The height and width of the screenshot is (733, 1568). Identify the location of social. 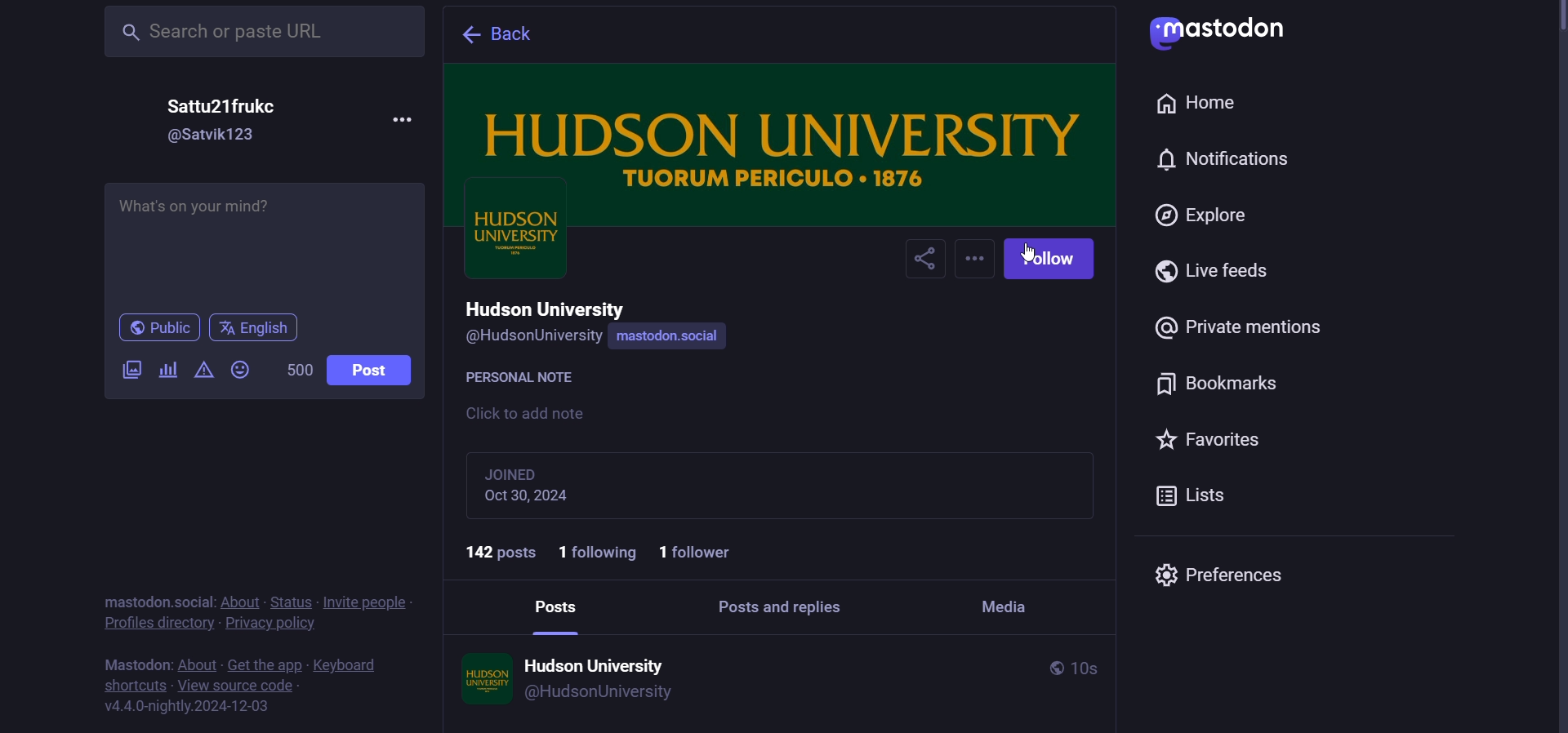
(194, 602).